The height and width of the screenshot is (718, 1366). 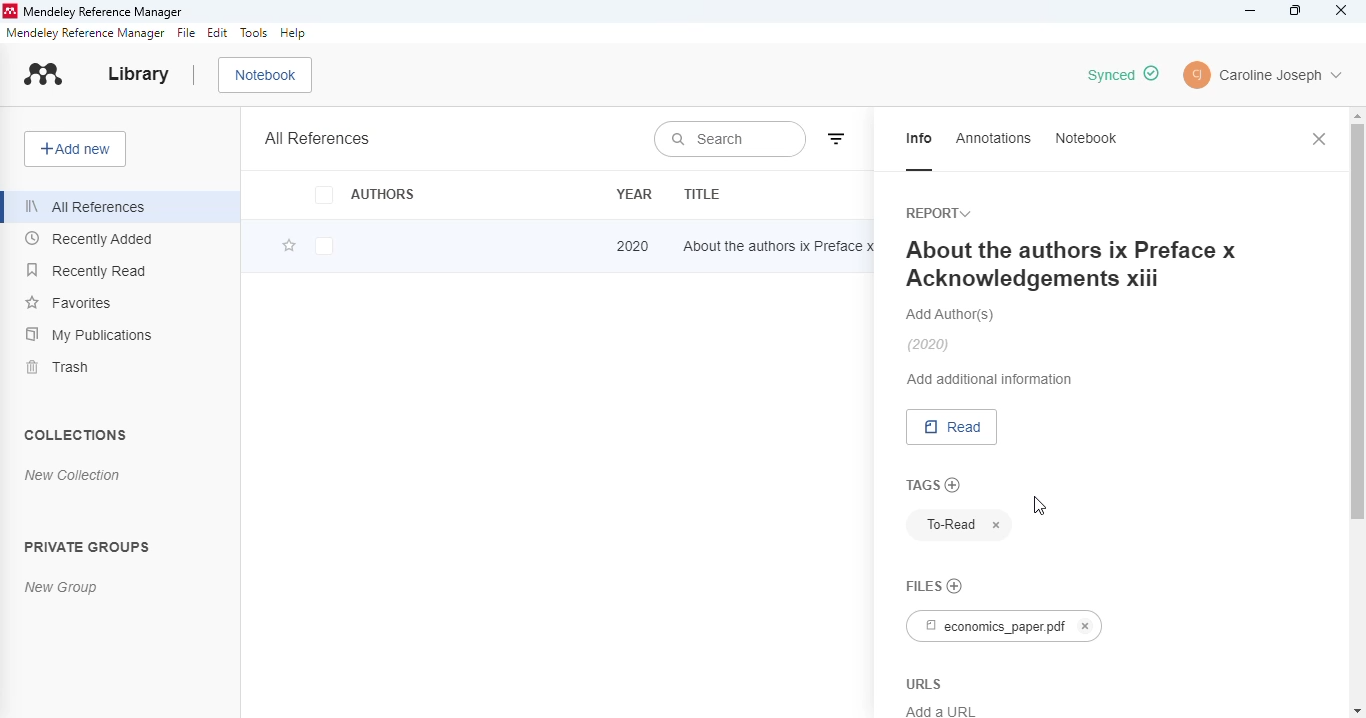 What do you see at coordinates (635, 194) in the screenshot?
I see `year` at bounding box center [635, 194].